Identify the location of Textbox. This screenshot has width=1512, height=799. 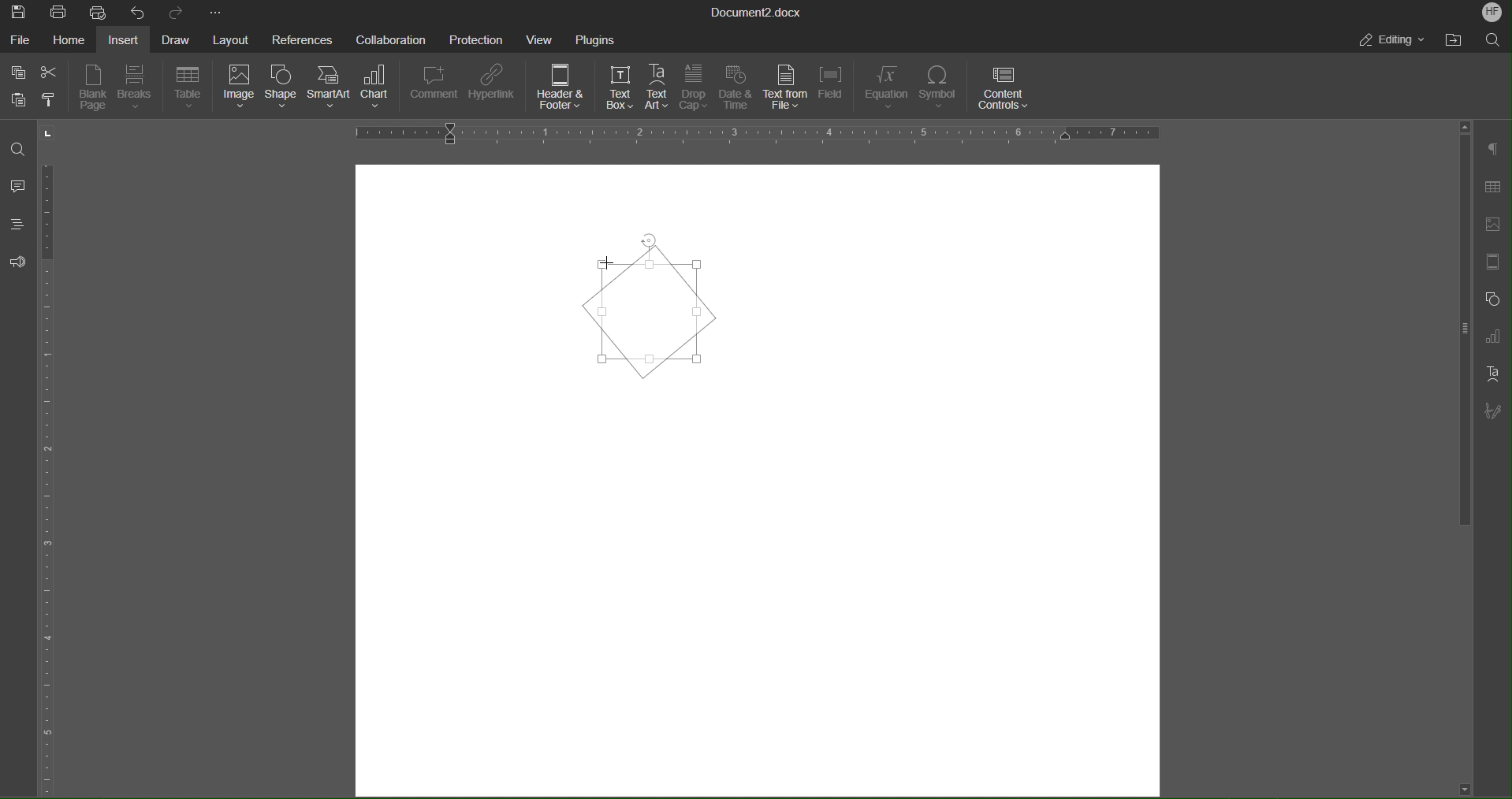
(646, 301).